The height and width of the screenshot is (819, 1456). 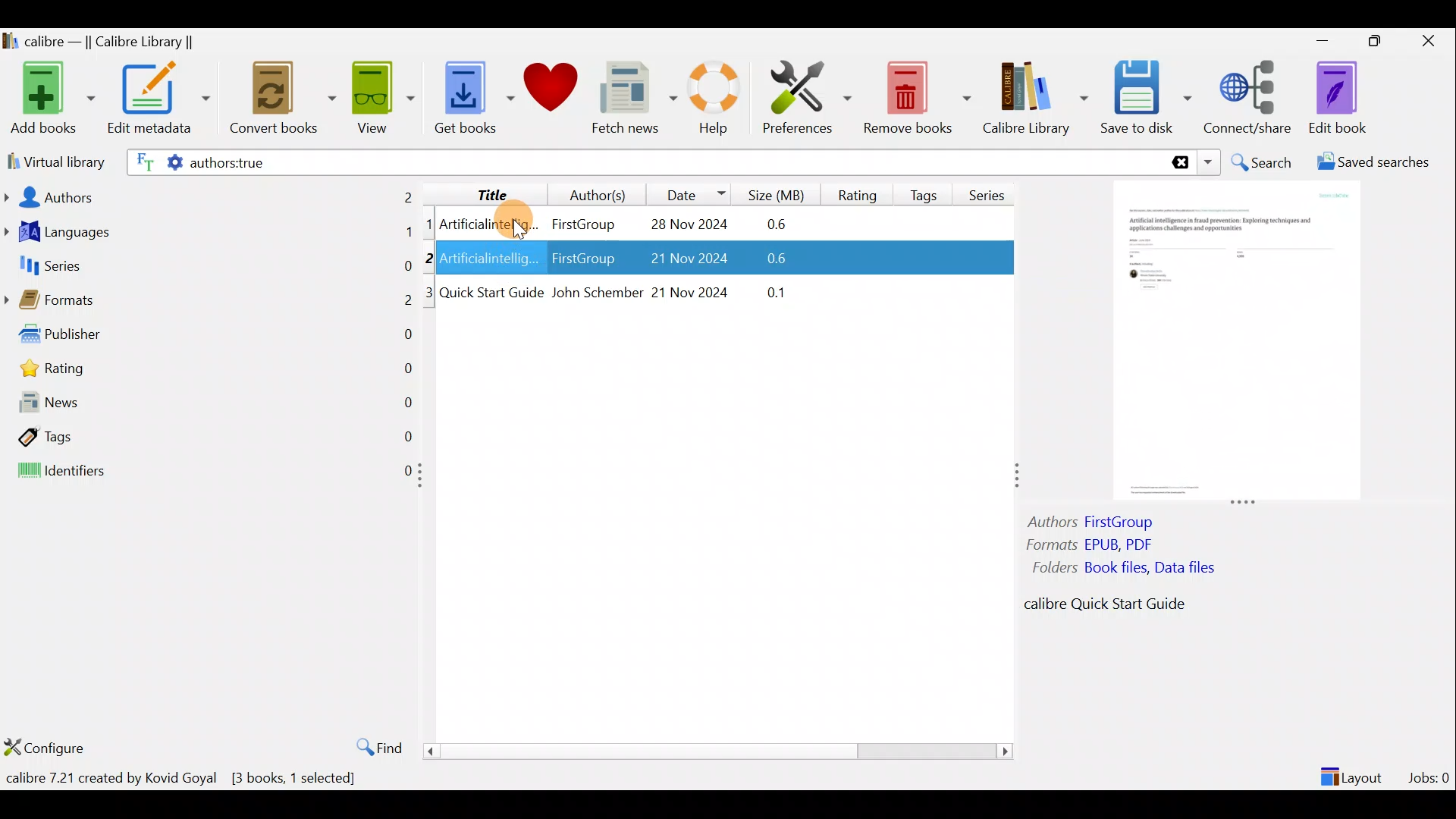 What do you see at coordinates (1034, 95) in the screenshot?
I see `Calibre library` at bounding box center [1034, 95].